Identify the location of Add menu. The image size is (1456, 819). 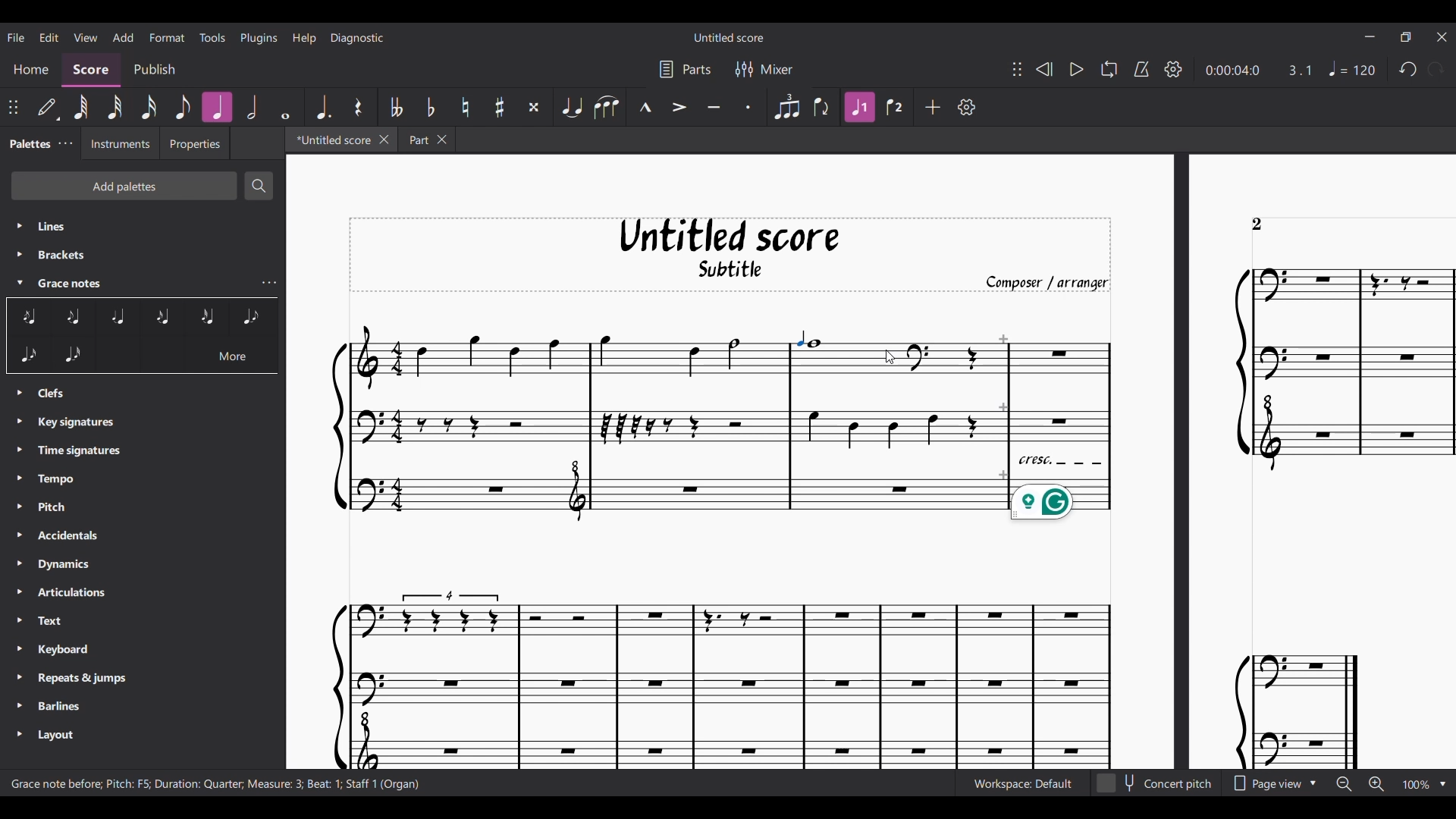
(124, 37).